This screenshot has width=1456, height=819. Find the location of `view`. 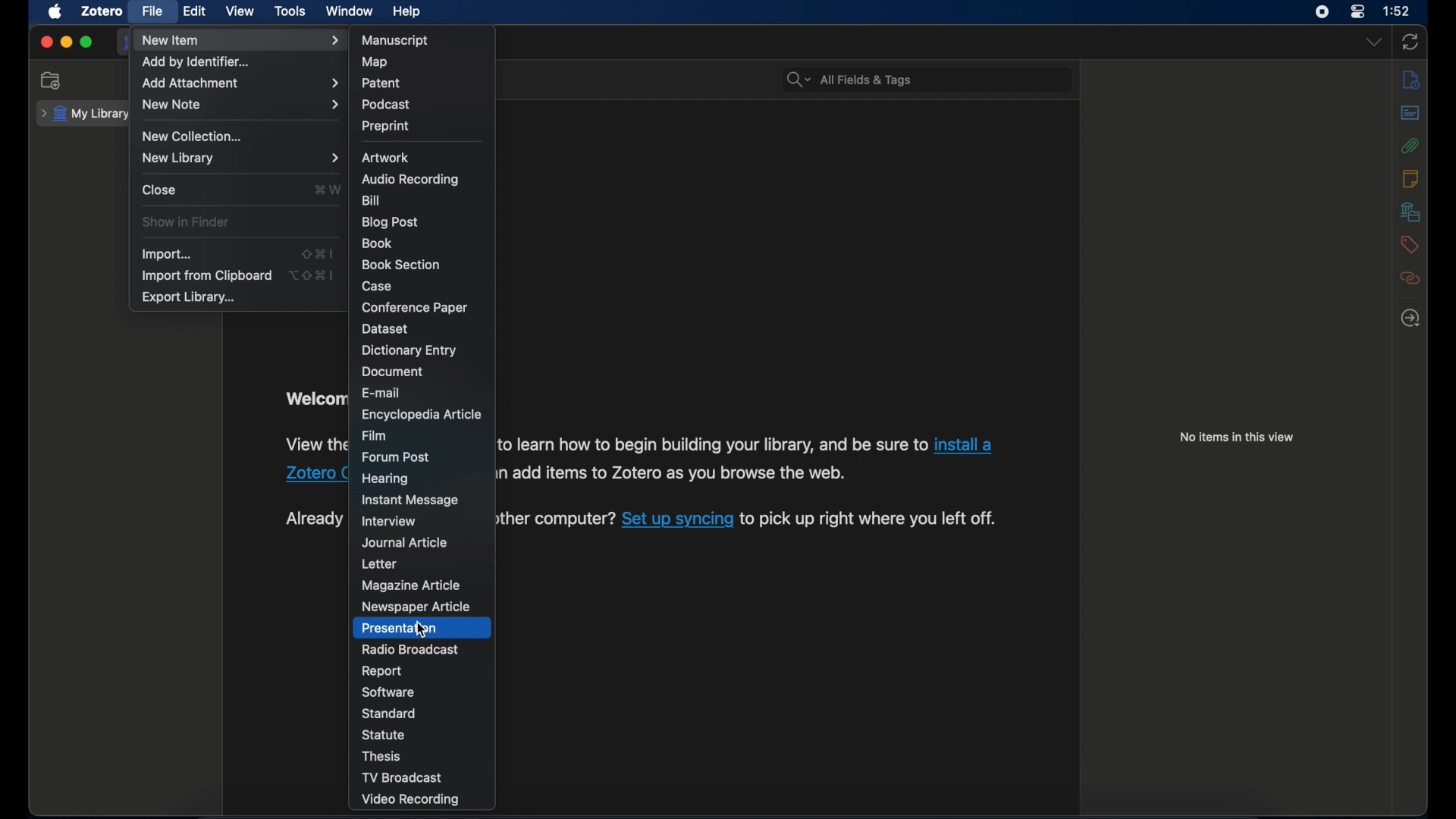

view is located at coordinates (240, 11).